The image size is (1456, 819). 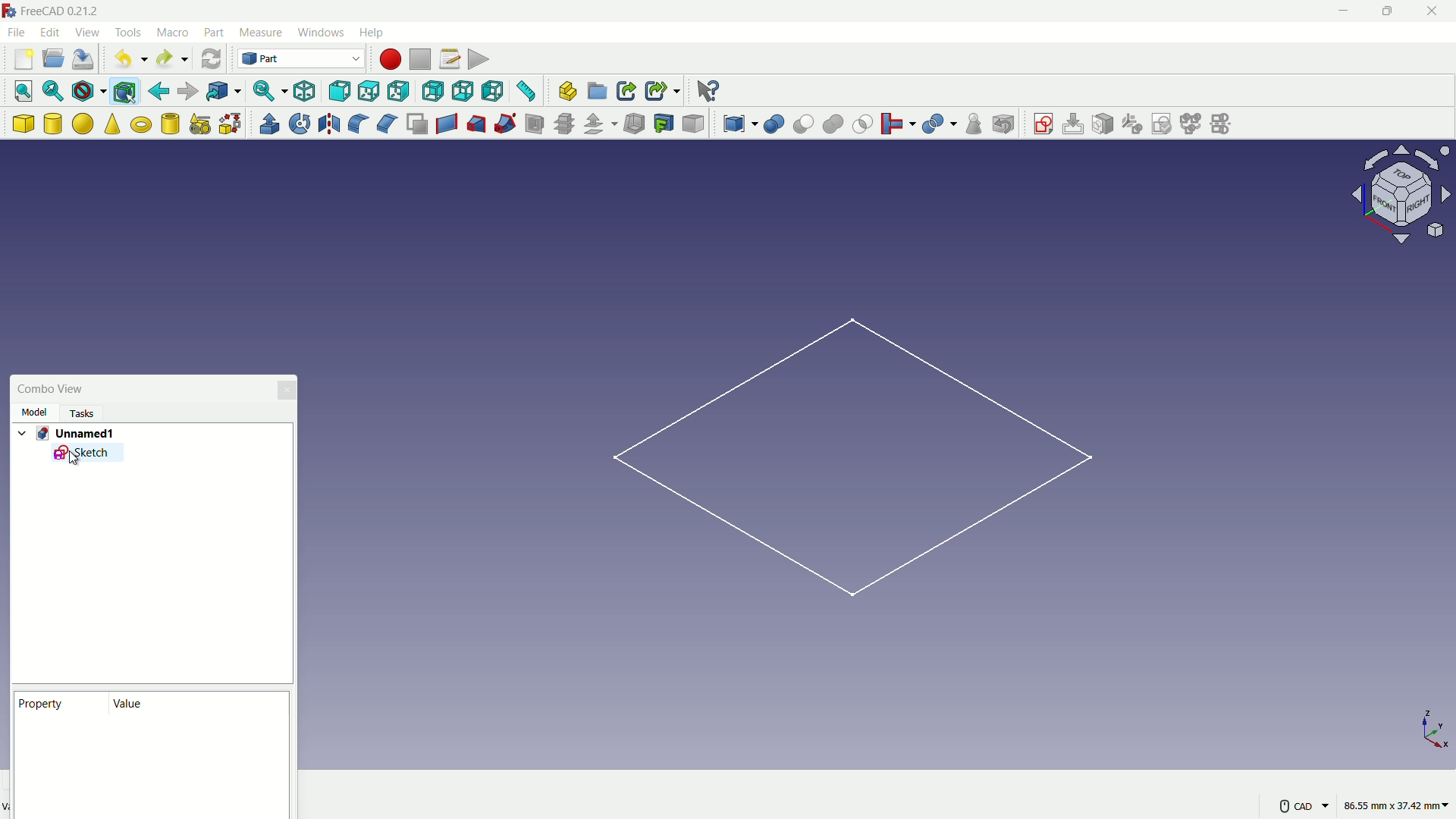 What do you see at coordinates (261, 32) in the screenshot?
I see `measure` at bounding box center [261, 32].